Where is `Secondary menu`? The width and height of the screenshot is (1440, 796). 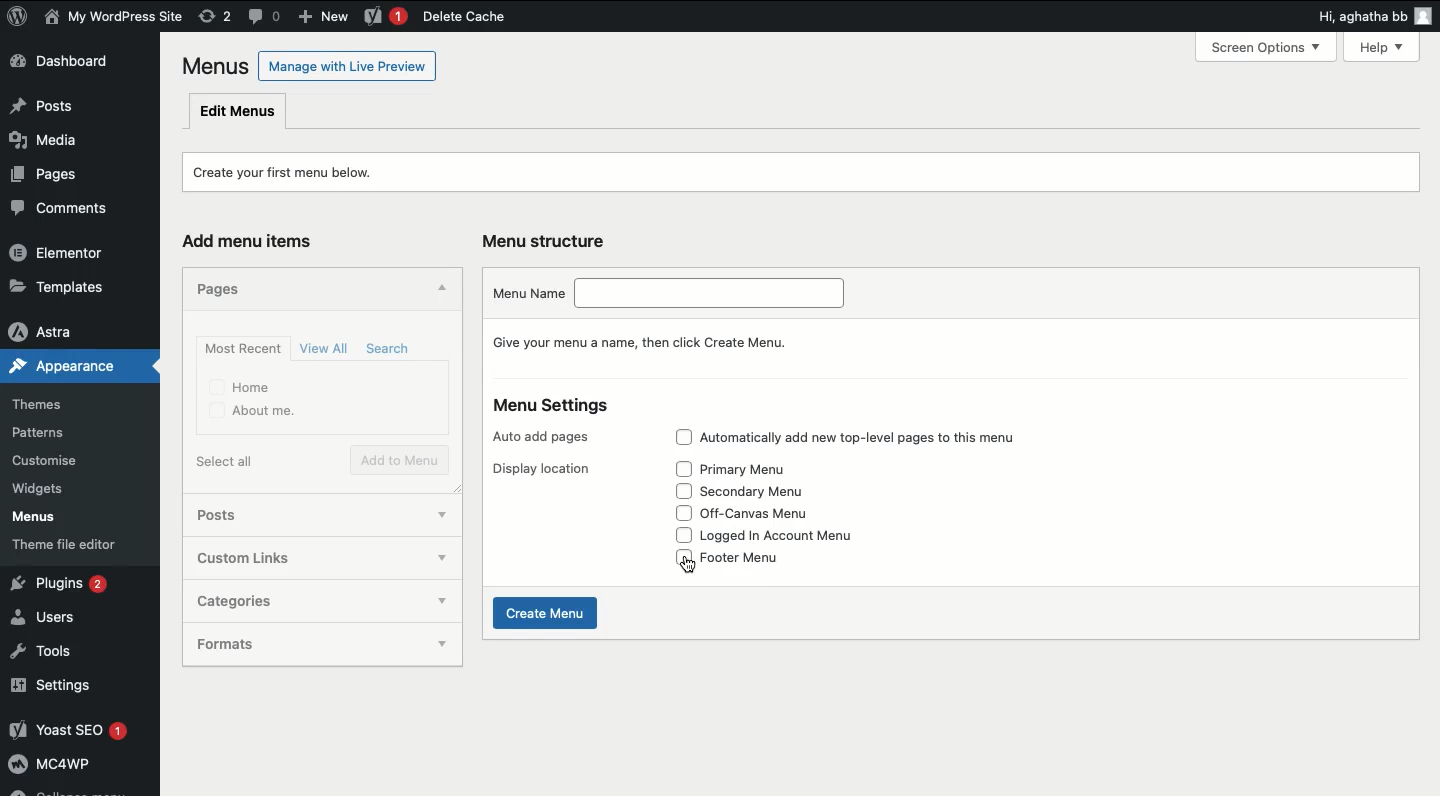
Secondary menu is located at coordinates (767, 490).